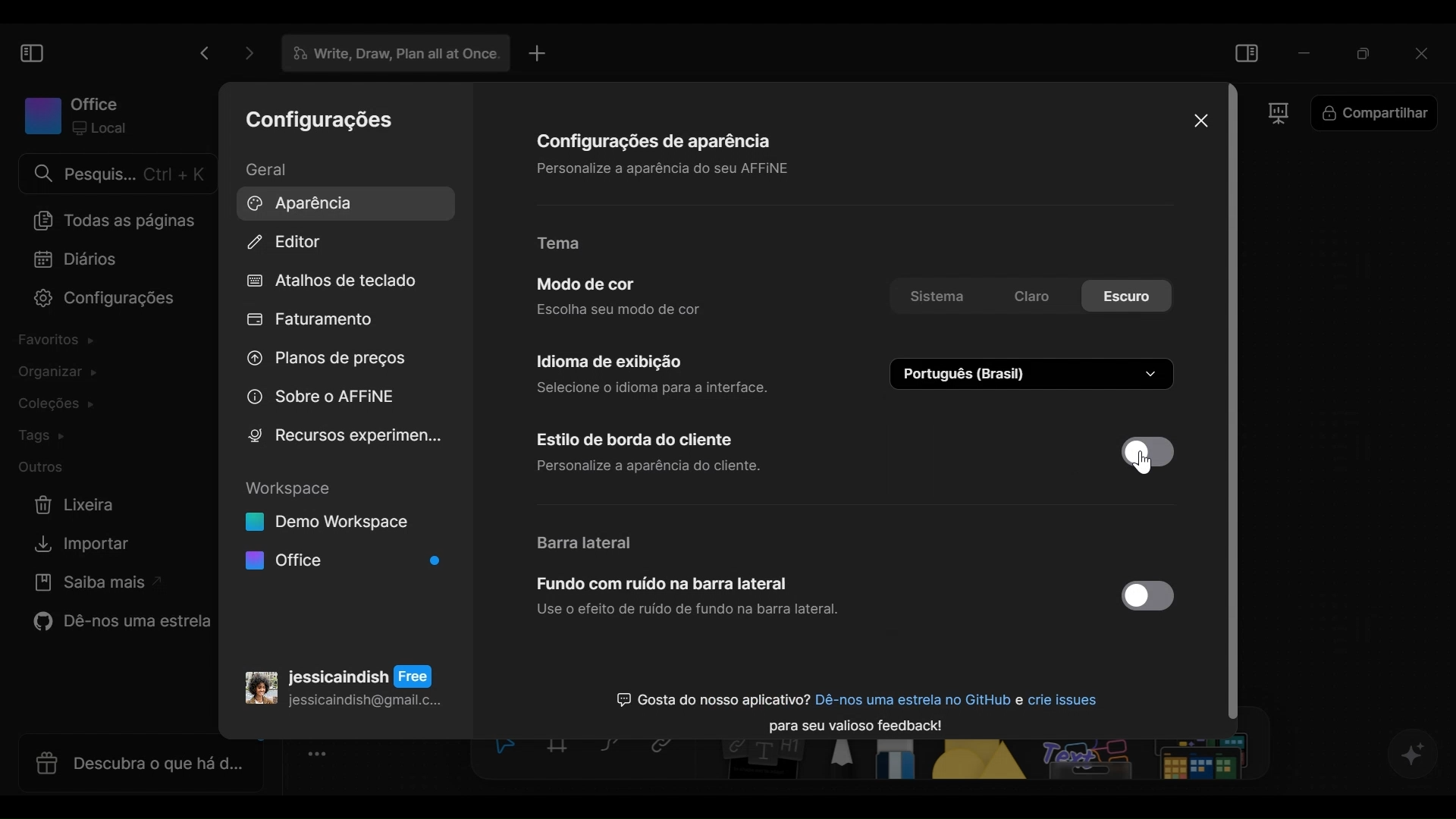  What do you see at coordinates (278, 169) in the screenshot?
I see `General` at bounding box center [278, 169].